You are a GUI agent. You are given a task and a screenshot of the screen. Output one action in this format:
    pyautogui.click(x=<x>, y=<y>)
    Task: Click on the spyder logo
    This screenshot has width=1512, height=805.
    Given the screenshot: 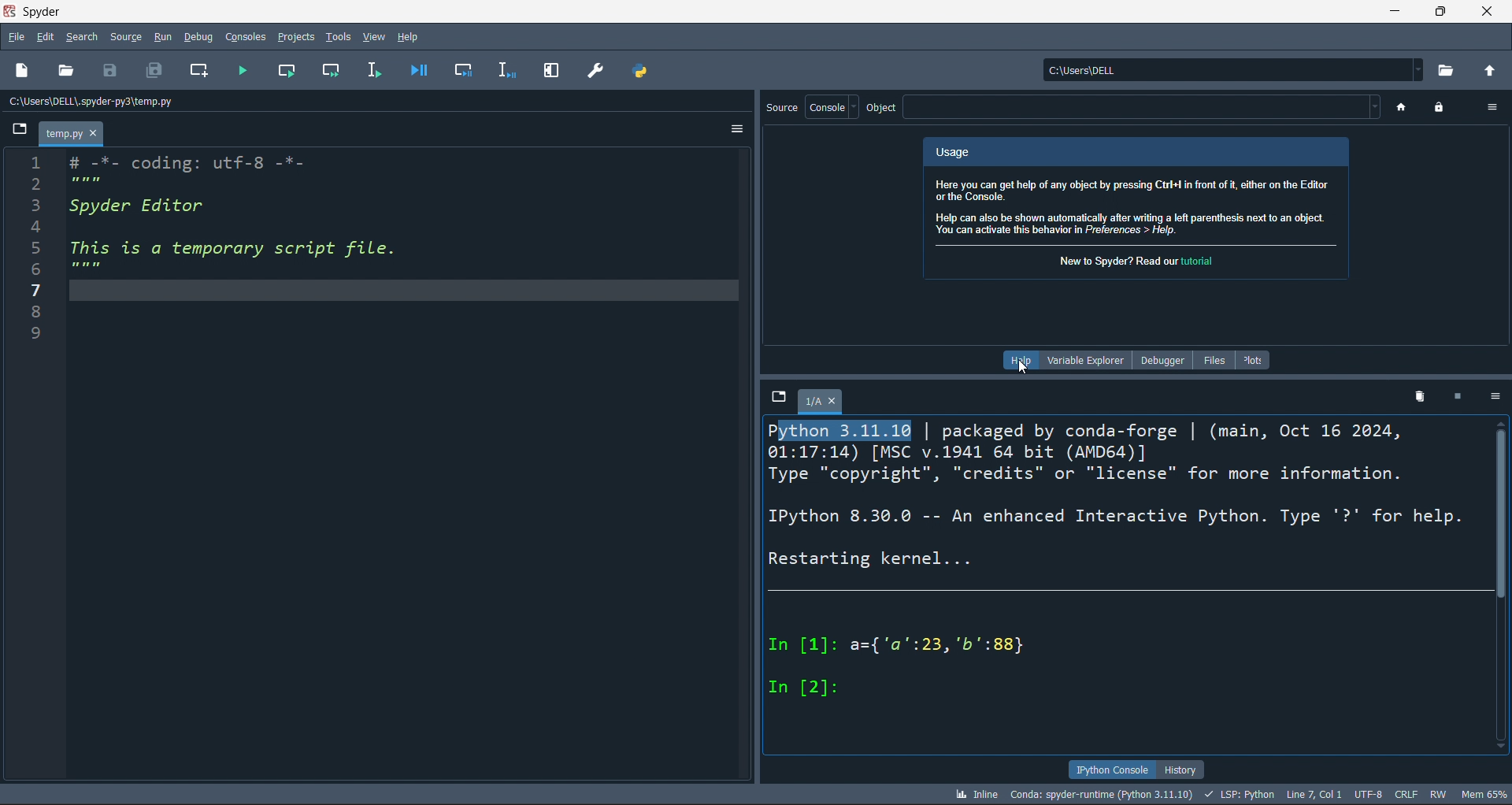 What is the action you would take?
    pyautogui.click(x=10, y=12)
    